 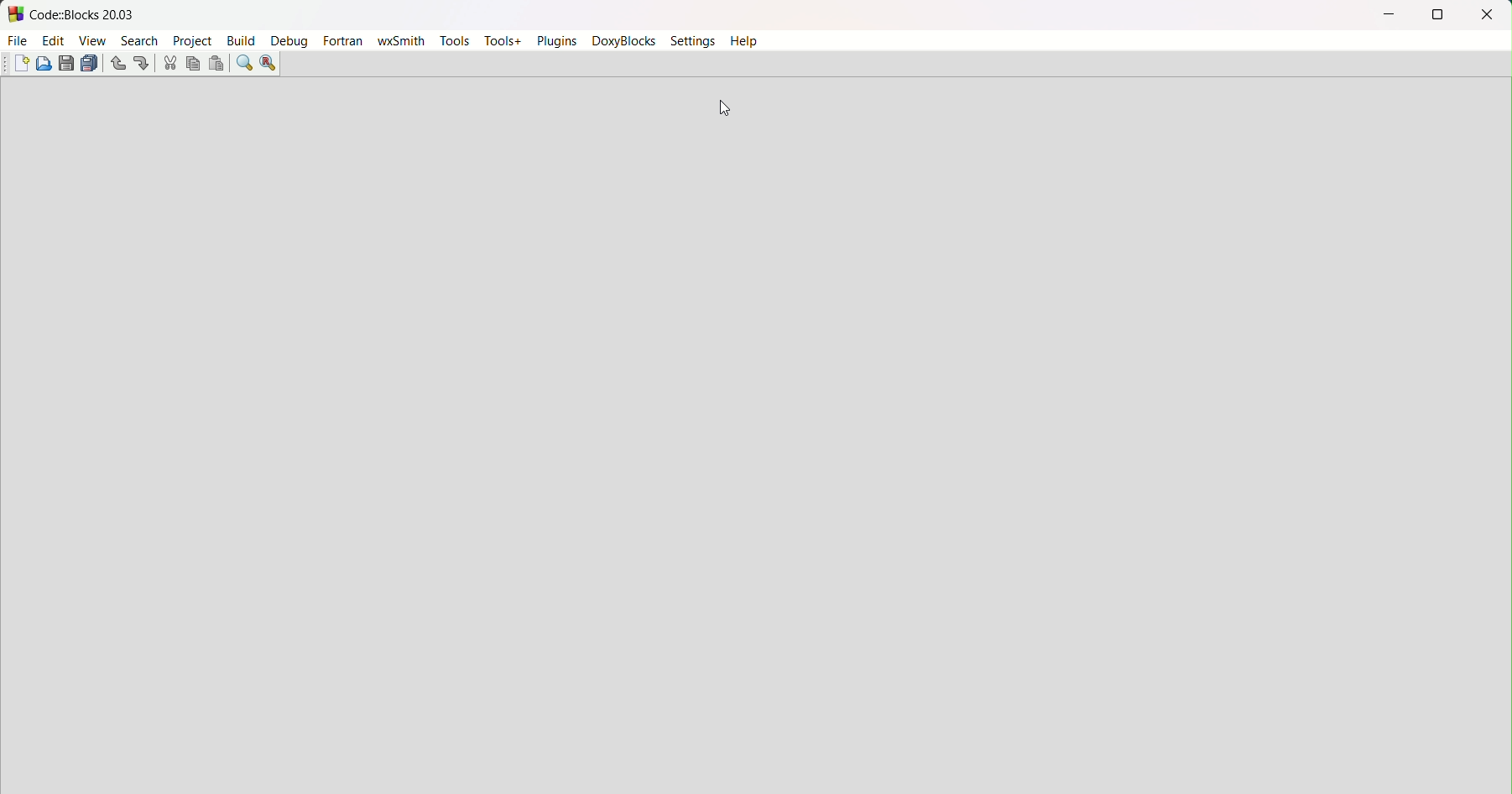 I want to click on undo, so click(x=117, y=64).